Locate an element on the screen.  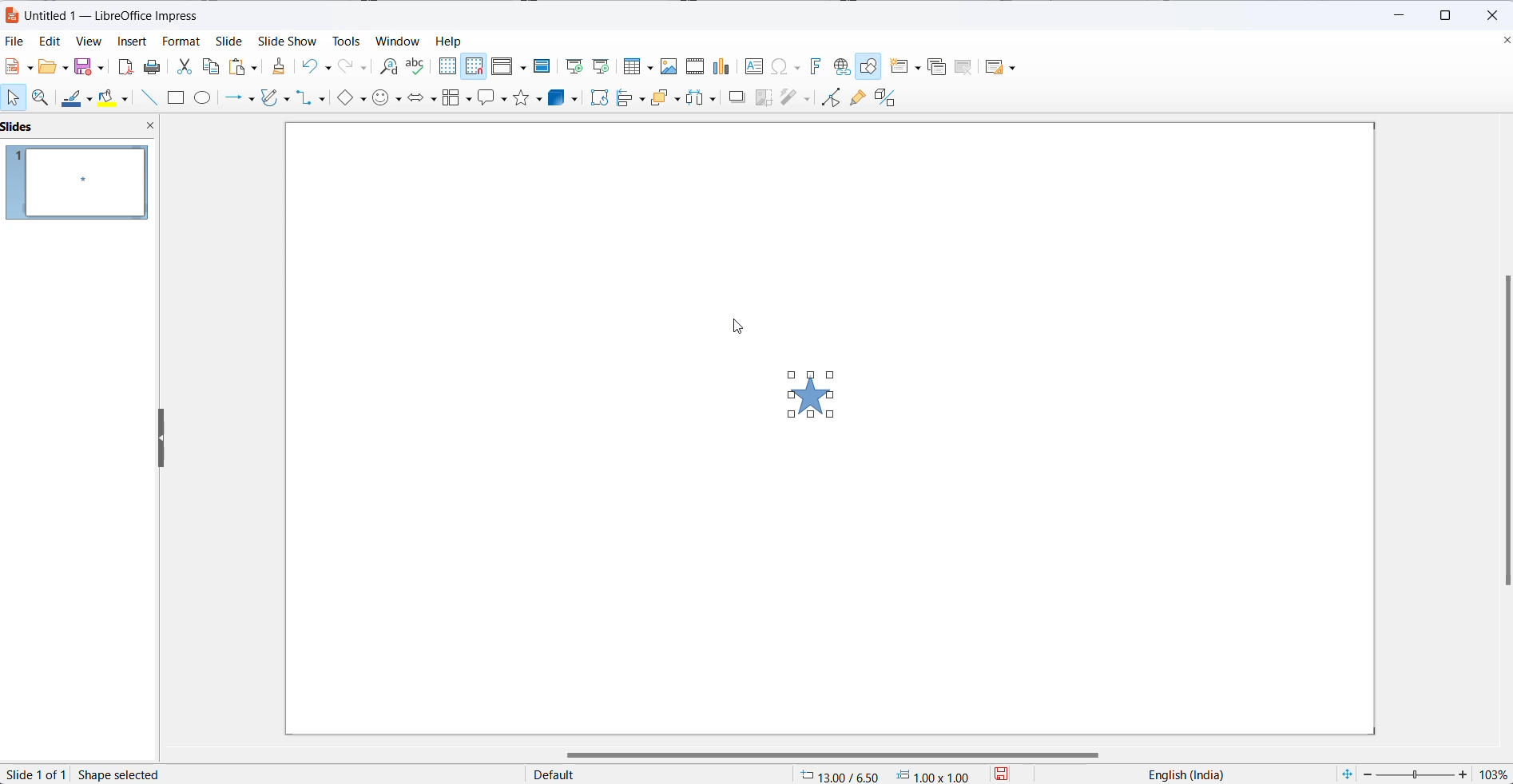
start from first slide is located at coordinates (570, 65).